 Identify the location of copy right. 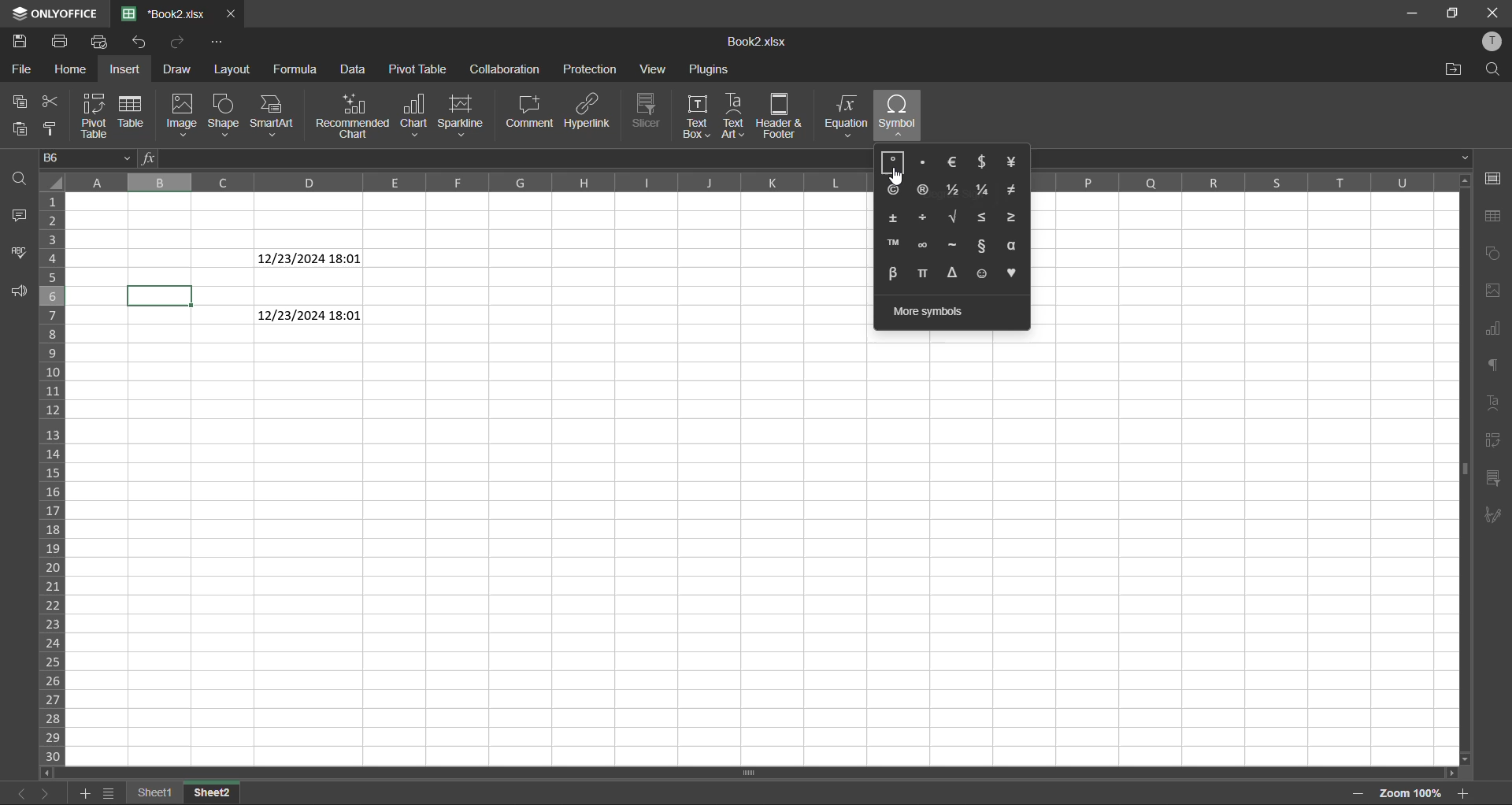
(893, 191).